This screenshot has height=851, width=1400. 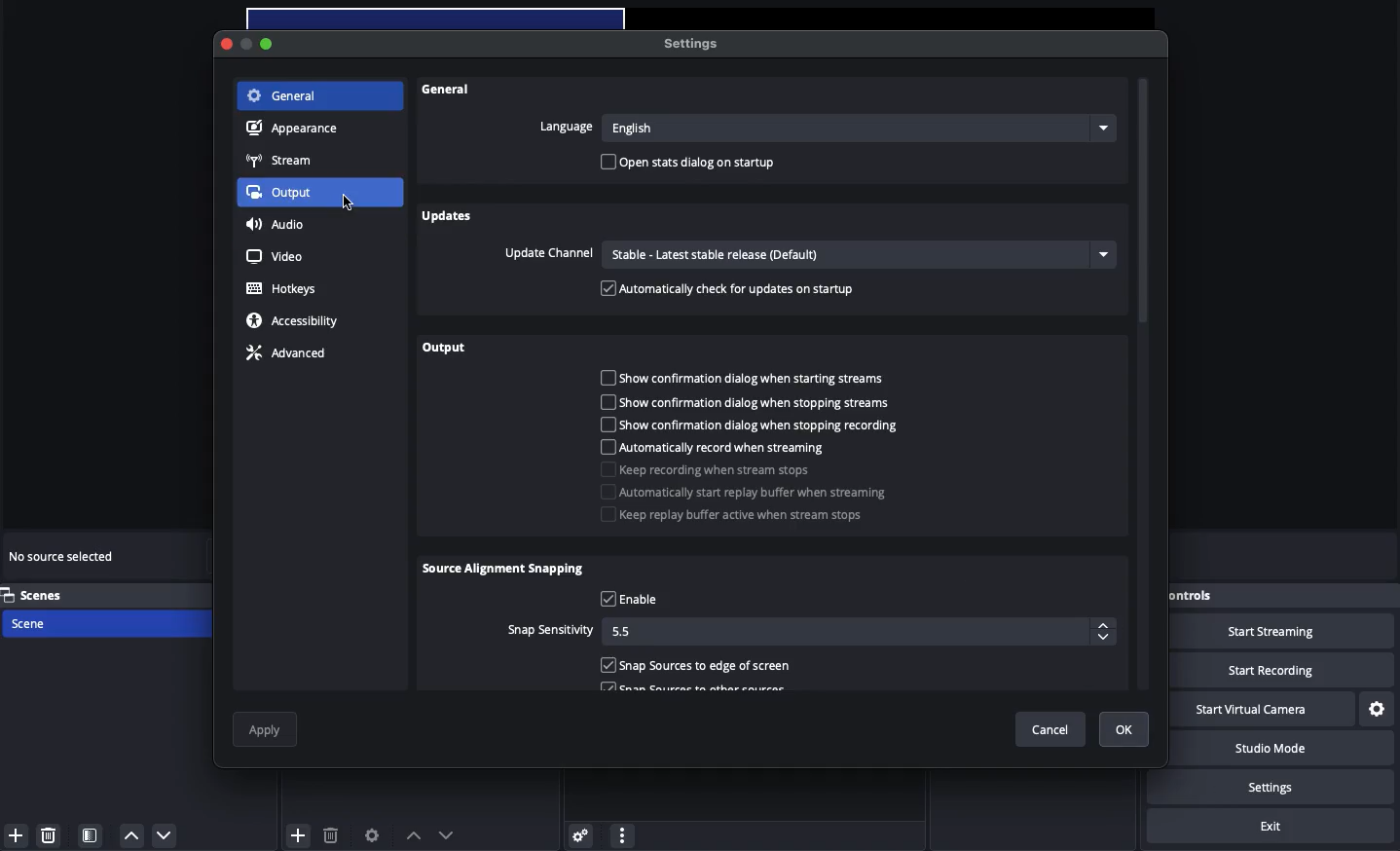 I want to click on Settings, so click(x=1276, y=787).